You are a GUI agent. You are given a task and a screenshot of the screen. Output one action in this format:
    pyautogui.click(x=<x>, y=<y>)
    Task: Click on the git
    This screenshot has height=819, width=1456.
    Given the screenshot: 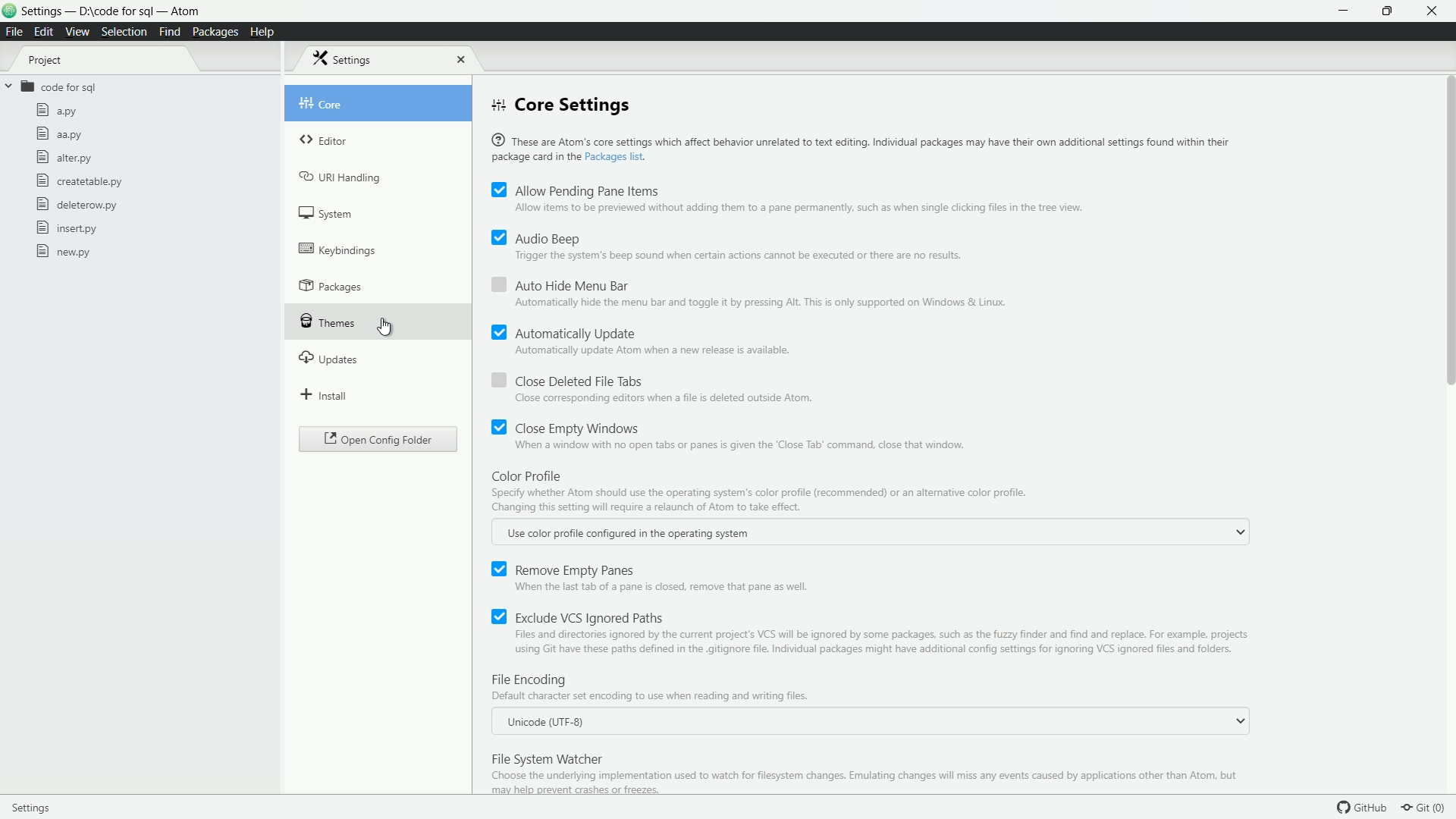 What is the action you would take?
    pyautogui.click(x=1429, y=807)
    